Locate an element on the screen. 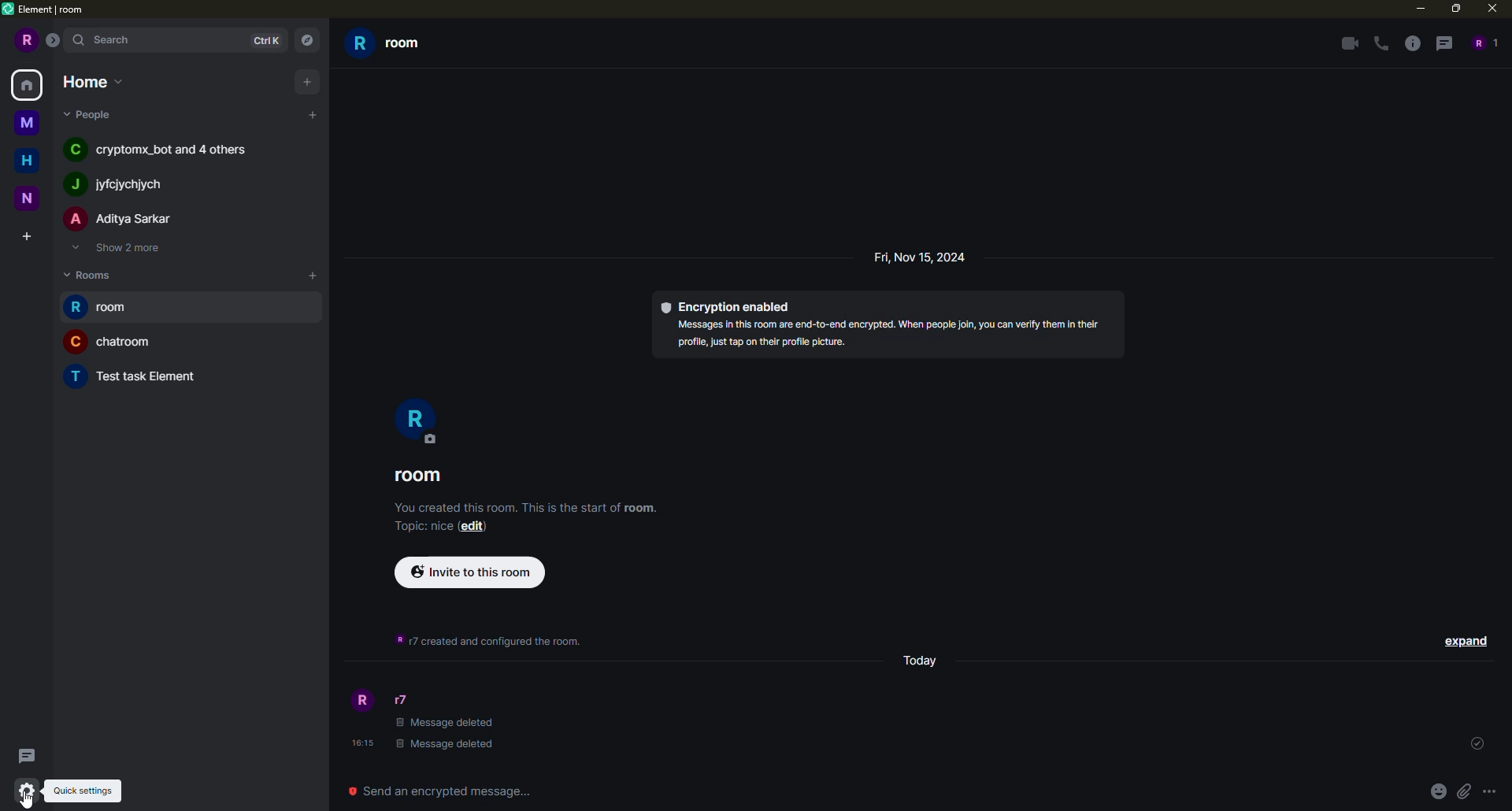 This screenshot has height=811, width=1512. element is located at coordinates (46, 10).